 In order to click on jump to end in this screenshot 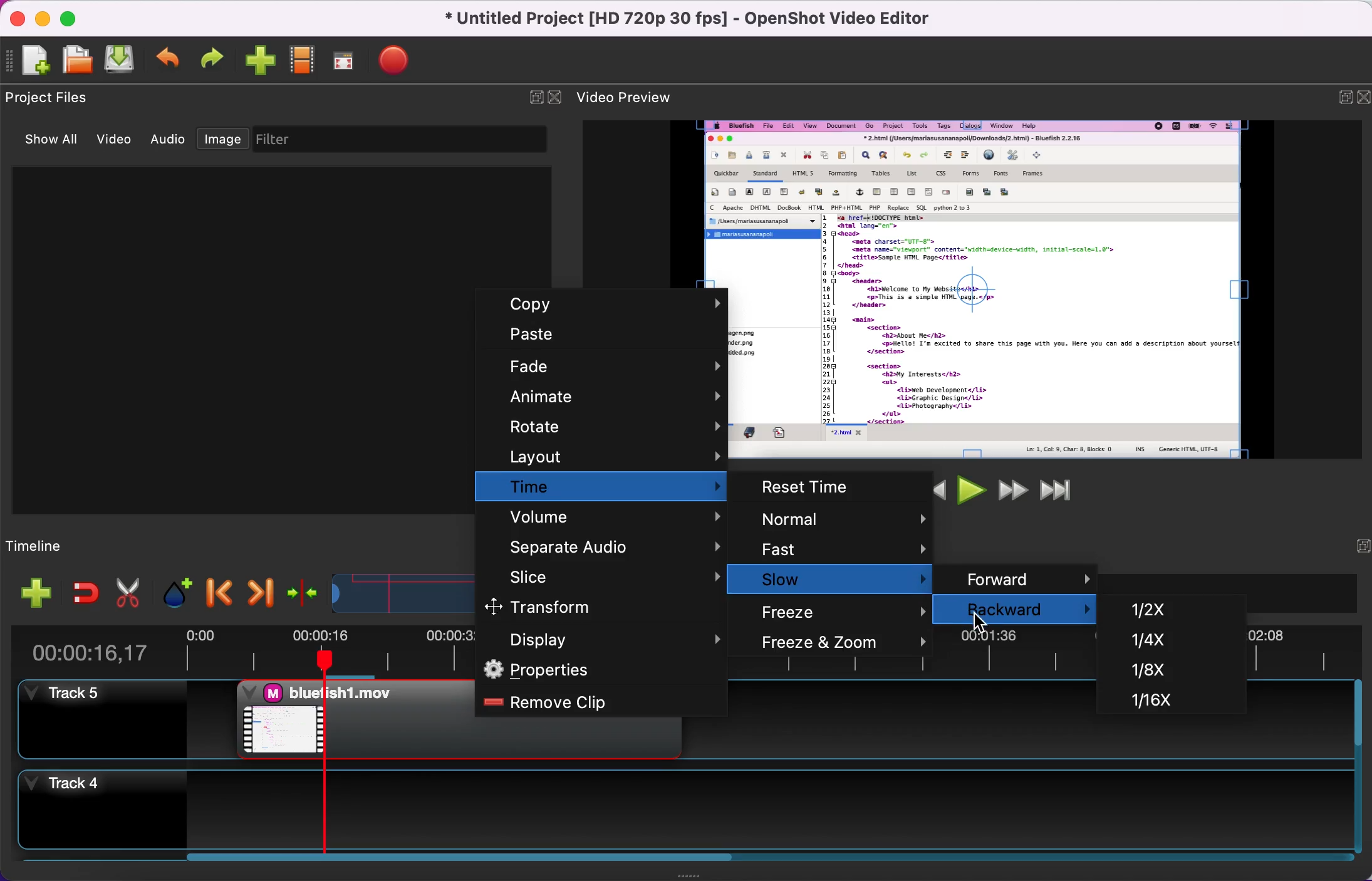, I will do `click(1056, 489)`.